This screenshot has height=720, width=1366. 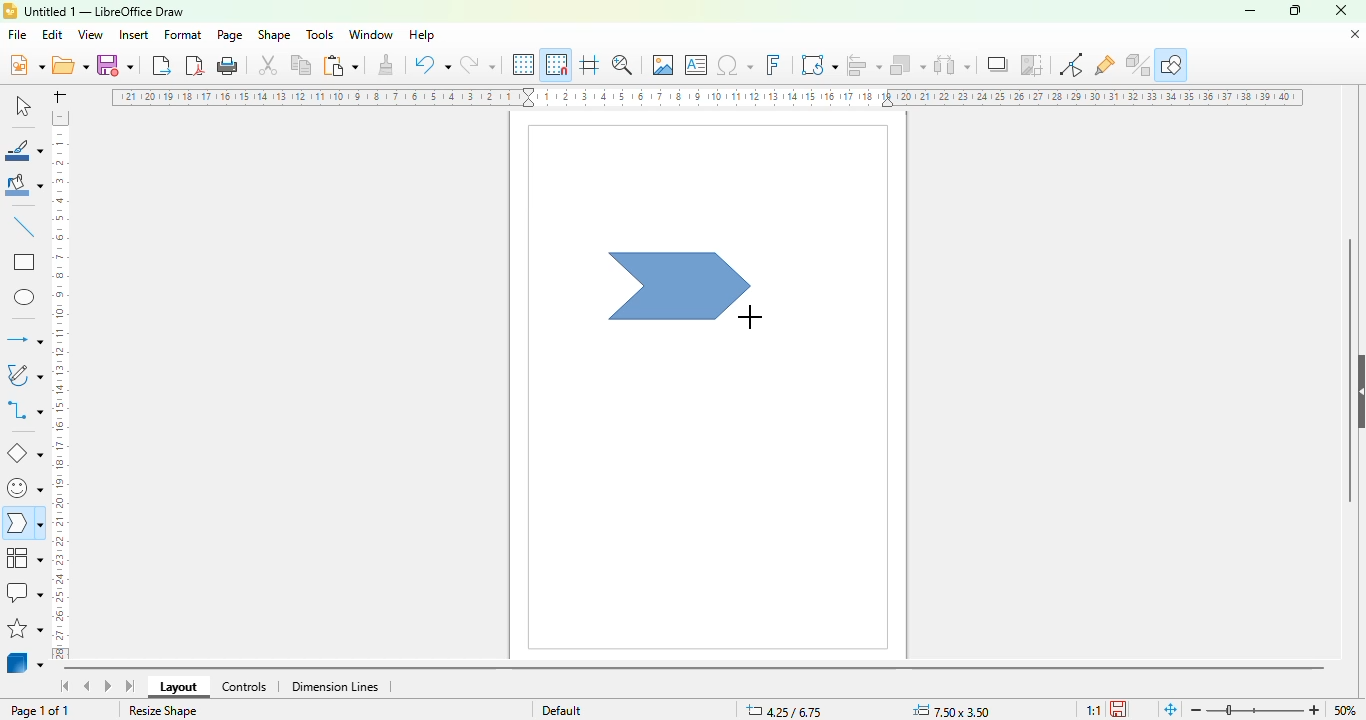 What do you see at coordinates (663, 64) in the screenshot?
I see `insert image` at bounding box center [663, 64].